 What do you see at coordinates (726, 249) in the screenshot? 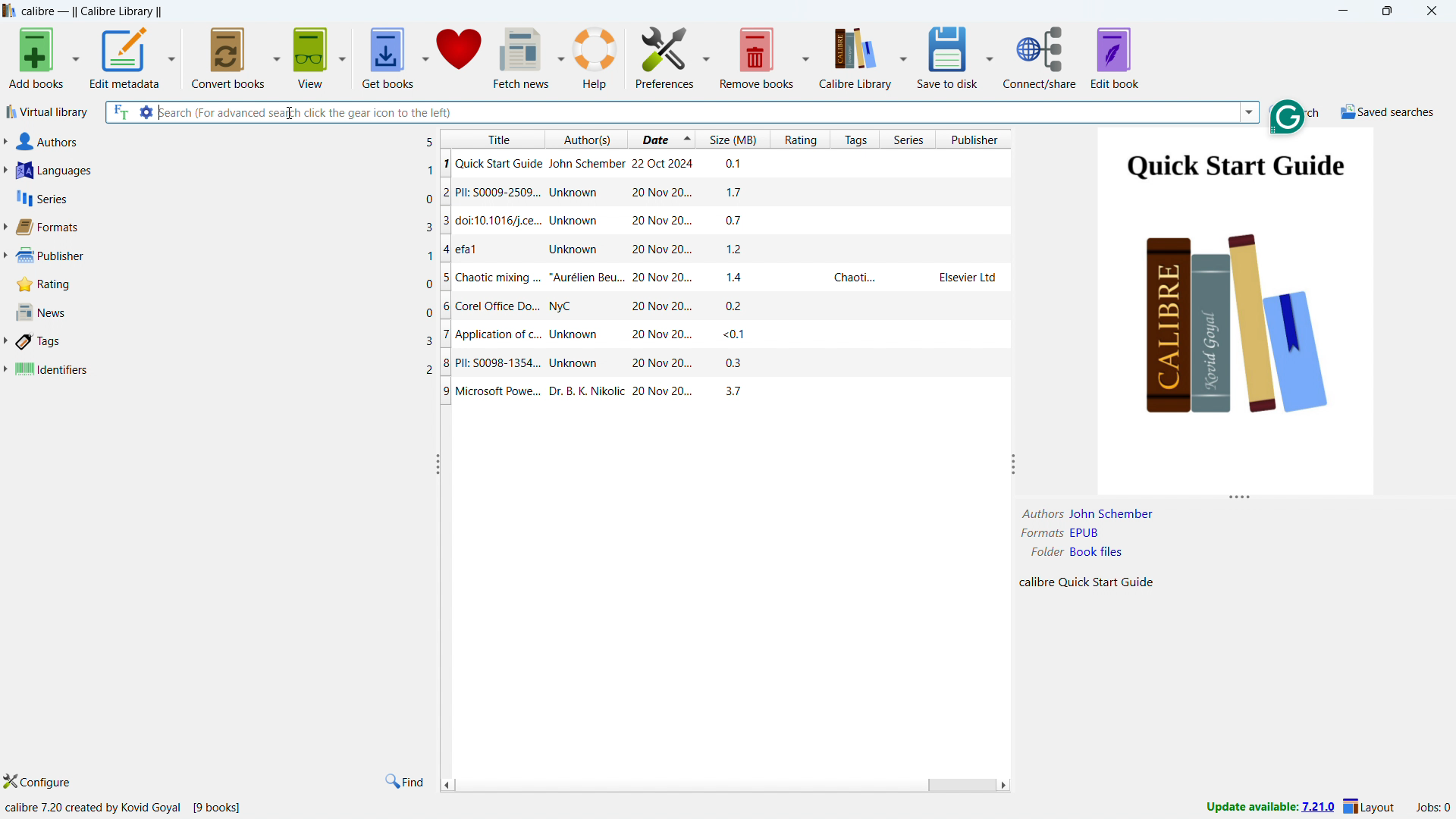
I see `efa1` at bounding box center [726, 249].